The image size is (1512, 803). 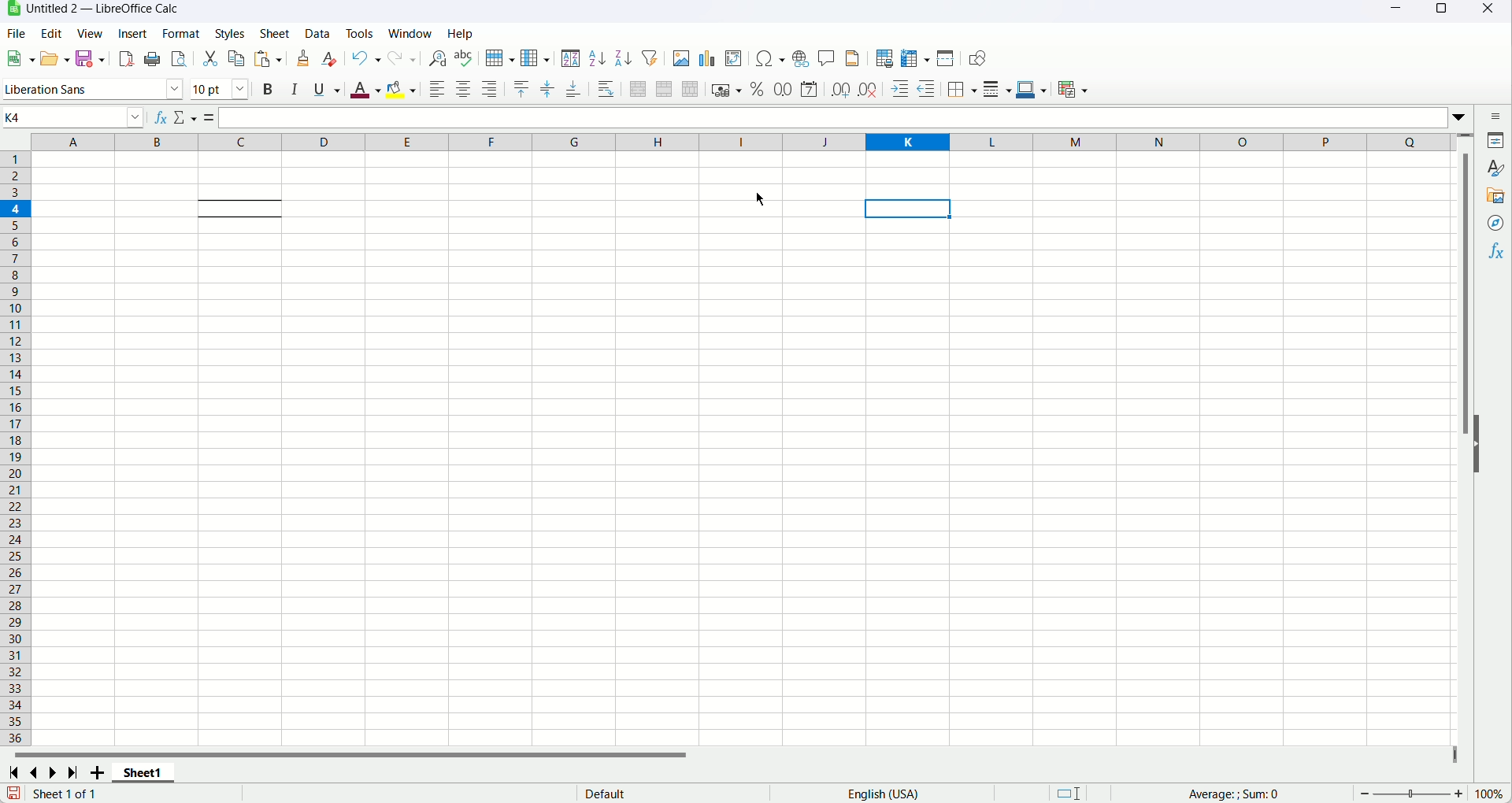 I want to click on Maximize, so click(x=1440, y=12).